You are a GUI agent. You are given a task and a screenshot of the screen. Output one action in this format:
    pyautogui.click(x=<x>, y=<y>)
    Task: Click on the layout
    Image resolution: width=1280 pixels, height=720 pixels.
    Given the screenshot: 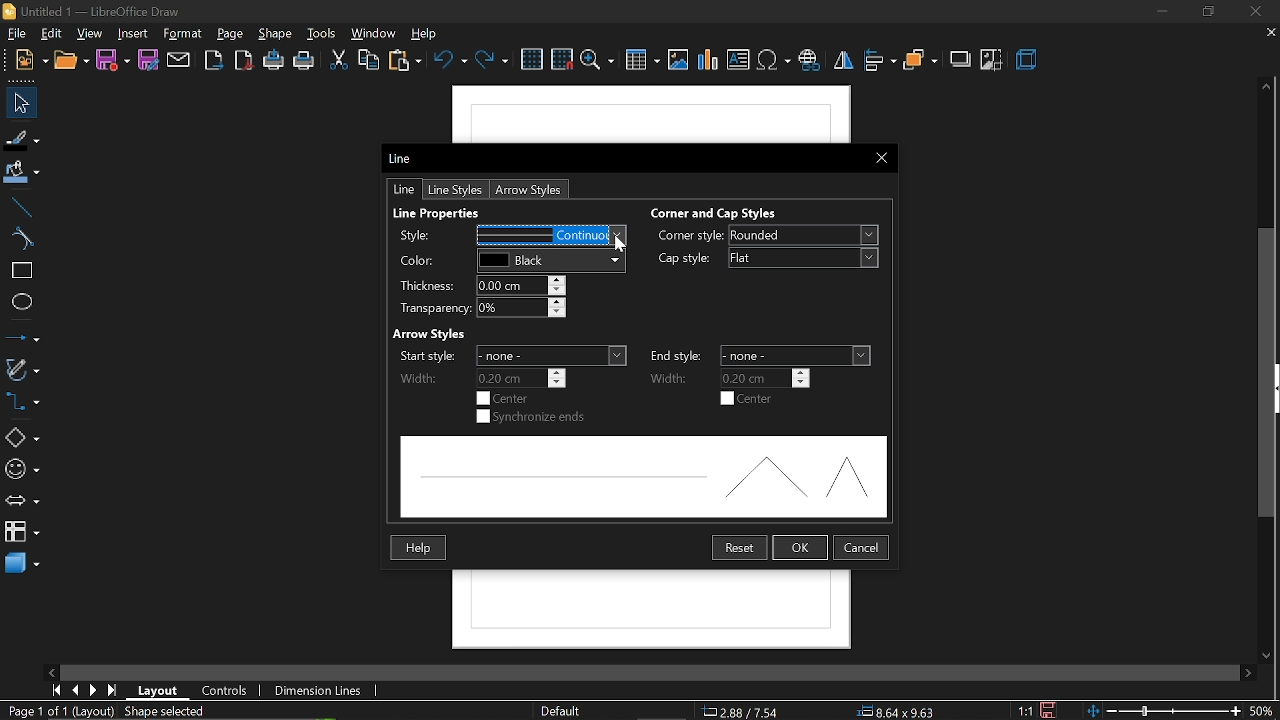 What is the action you would take?
    pyautogui.click(x=158, y=691)
    